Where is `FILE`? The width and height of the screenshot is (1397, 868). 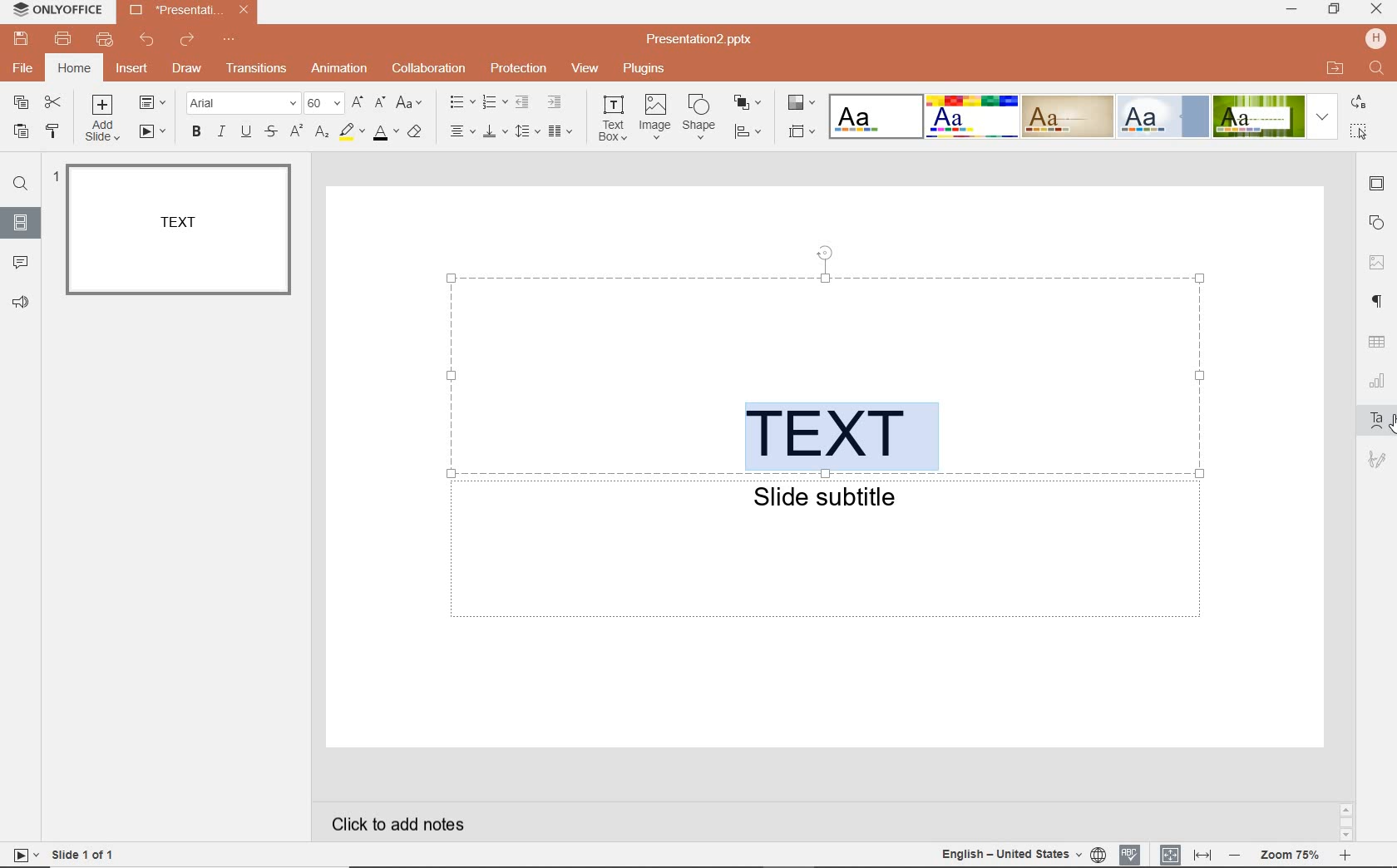 FILE is located at coordinates (23, 70).